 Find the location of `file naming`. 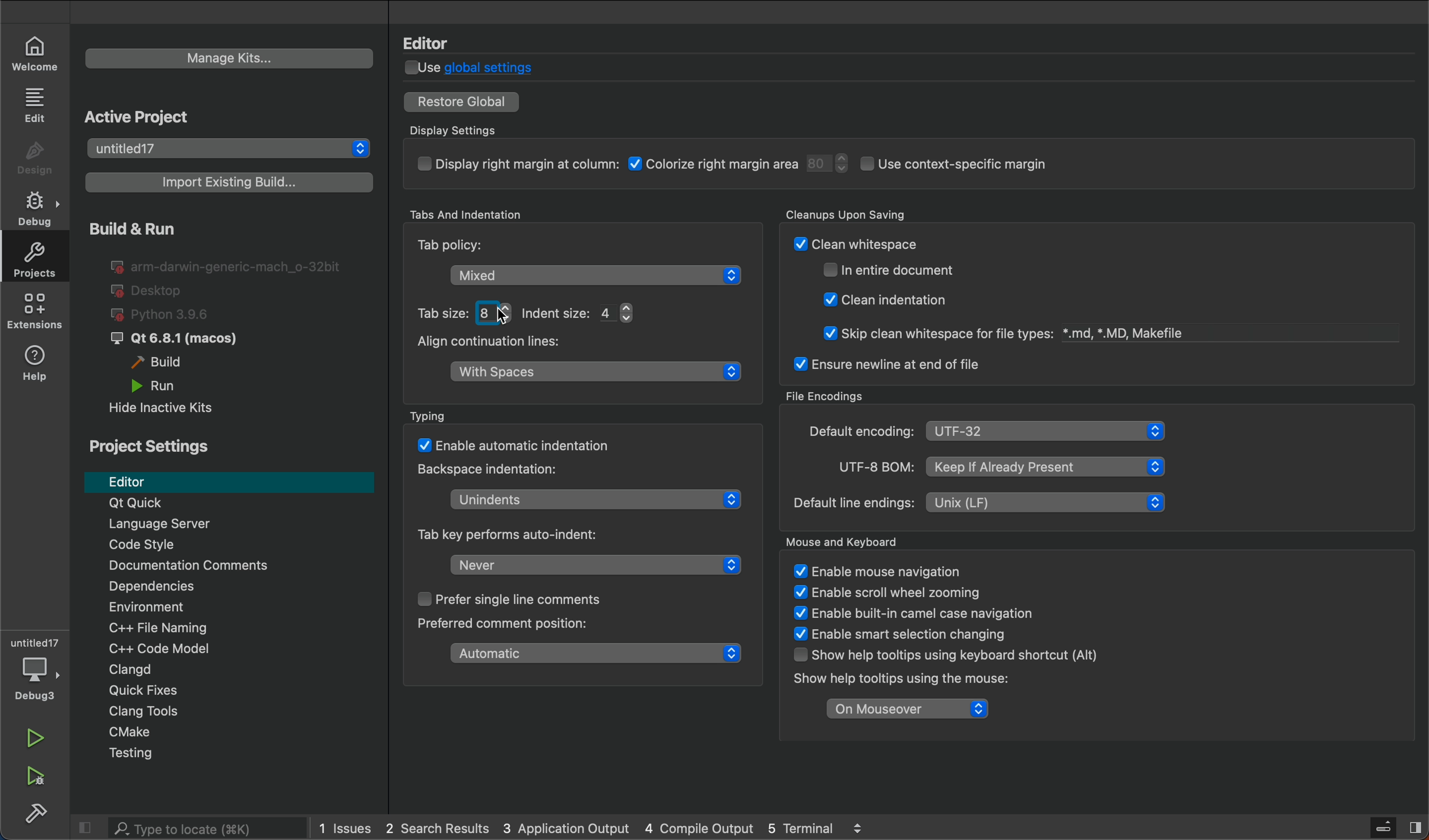

file naming is located at coordinates (244, 629).